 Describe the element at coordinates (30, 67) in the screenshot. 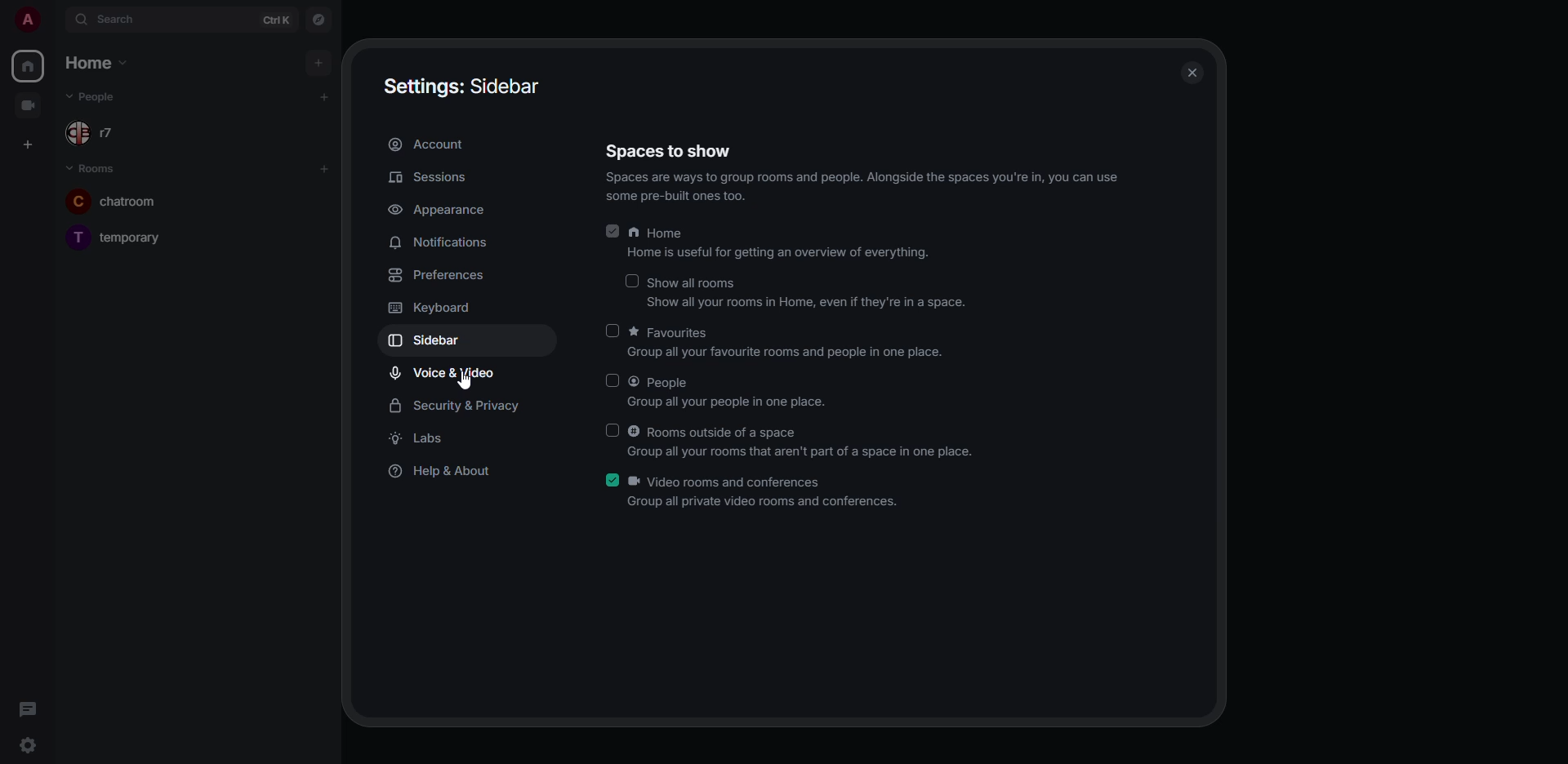

I see `home` at that location.